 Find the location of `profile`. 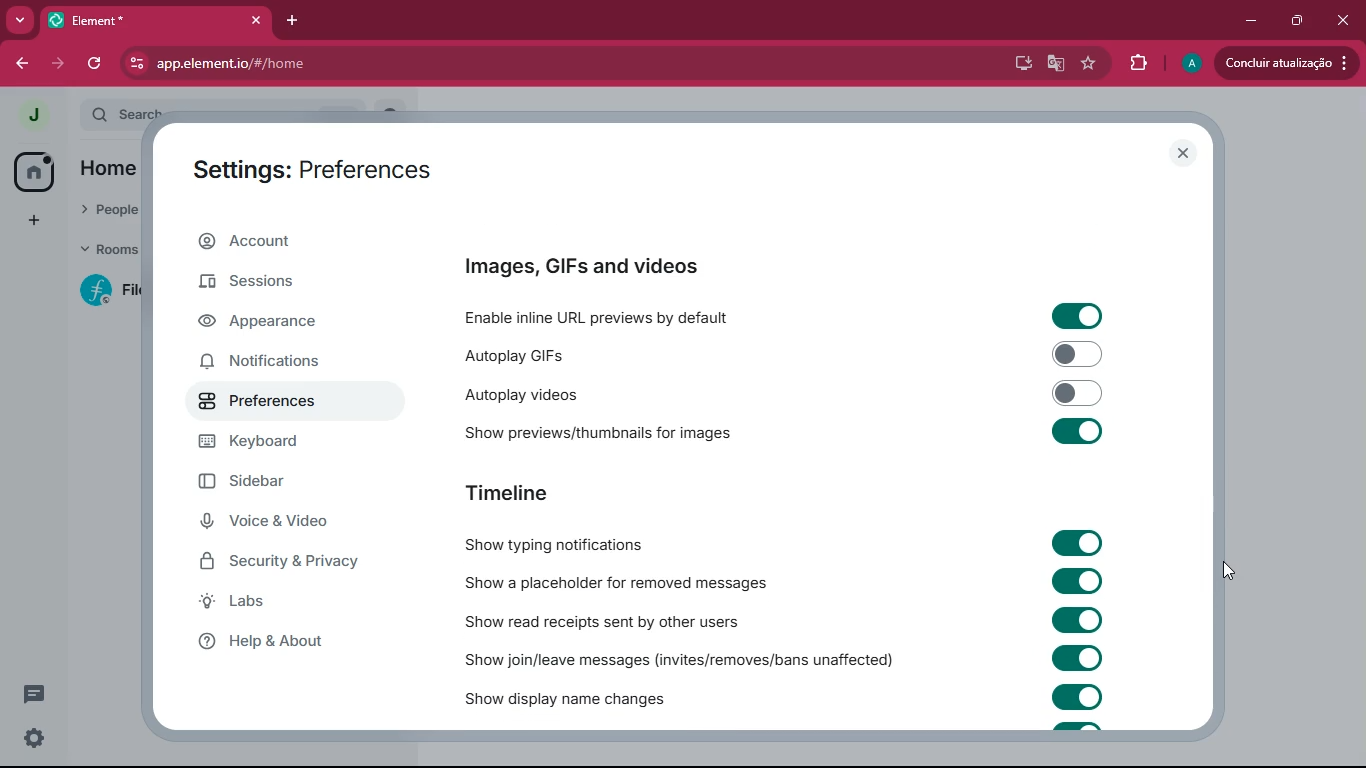

profile is located at coordinates (1190, 64).